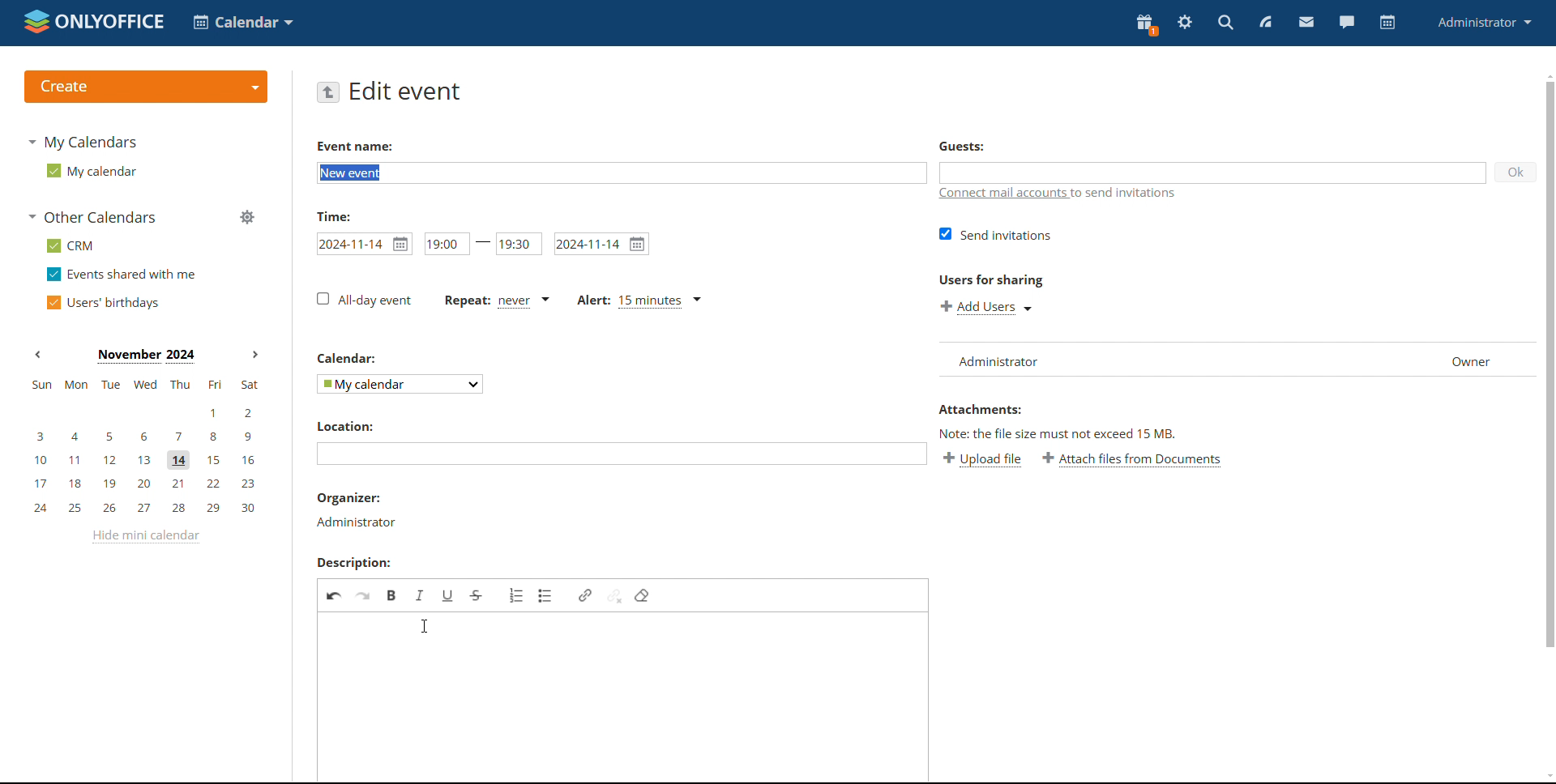  Describe the element at coordinates (989, 279) in the screenshot. I see `users for sharing` at that location.